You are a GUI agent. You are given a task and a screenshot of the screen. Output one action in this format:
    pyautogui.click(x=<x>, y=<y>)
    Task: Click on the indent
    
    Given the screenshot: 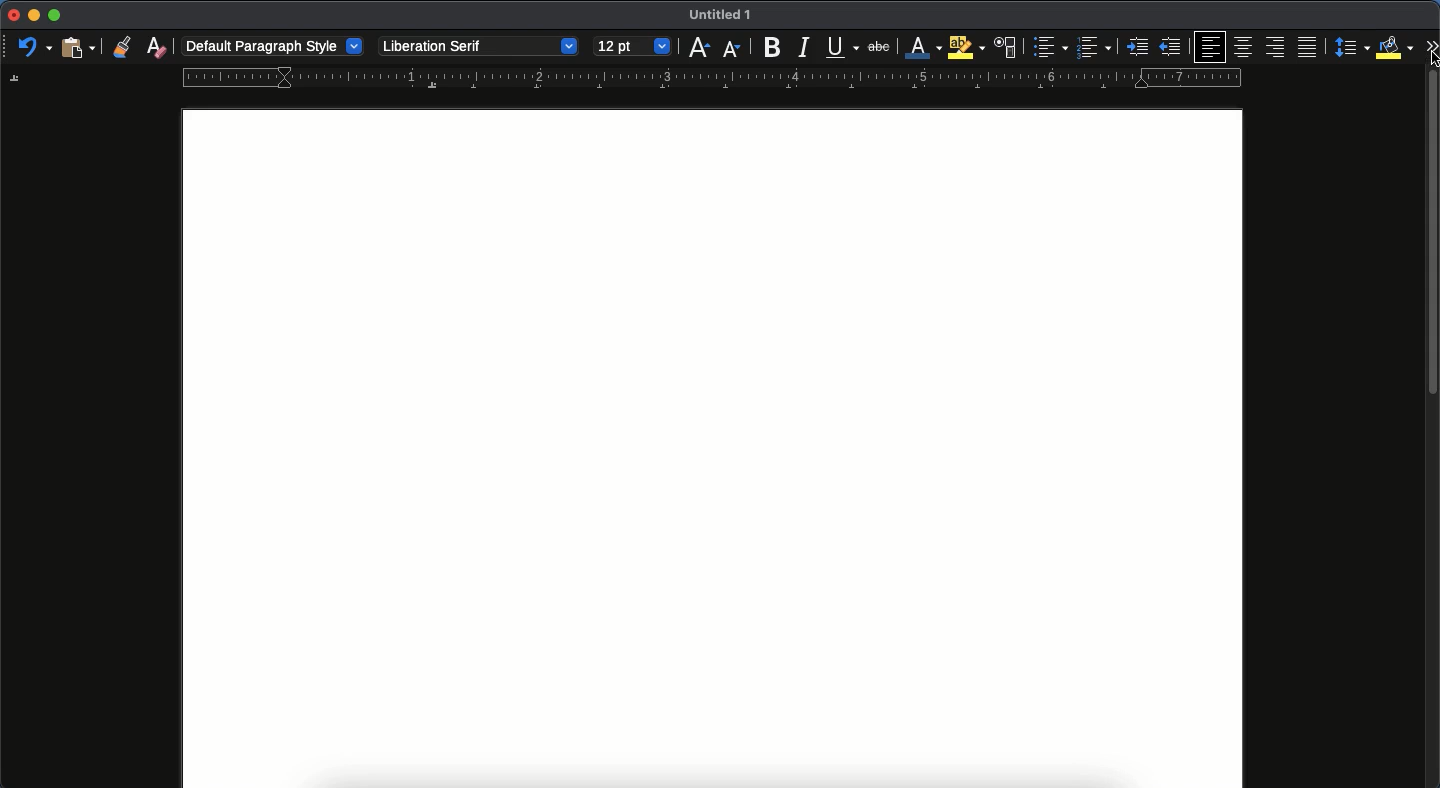 What is the action you would take?
    pyautogui.click(x=1139, y=47)
    